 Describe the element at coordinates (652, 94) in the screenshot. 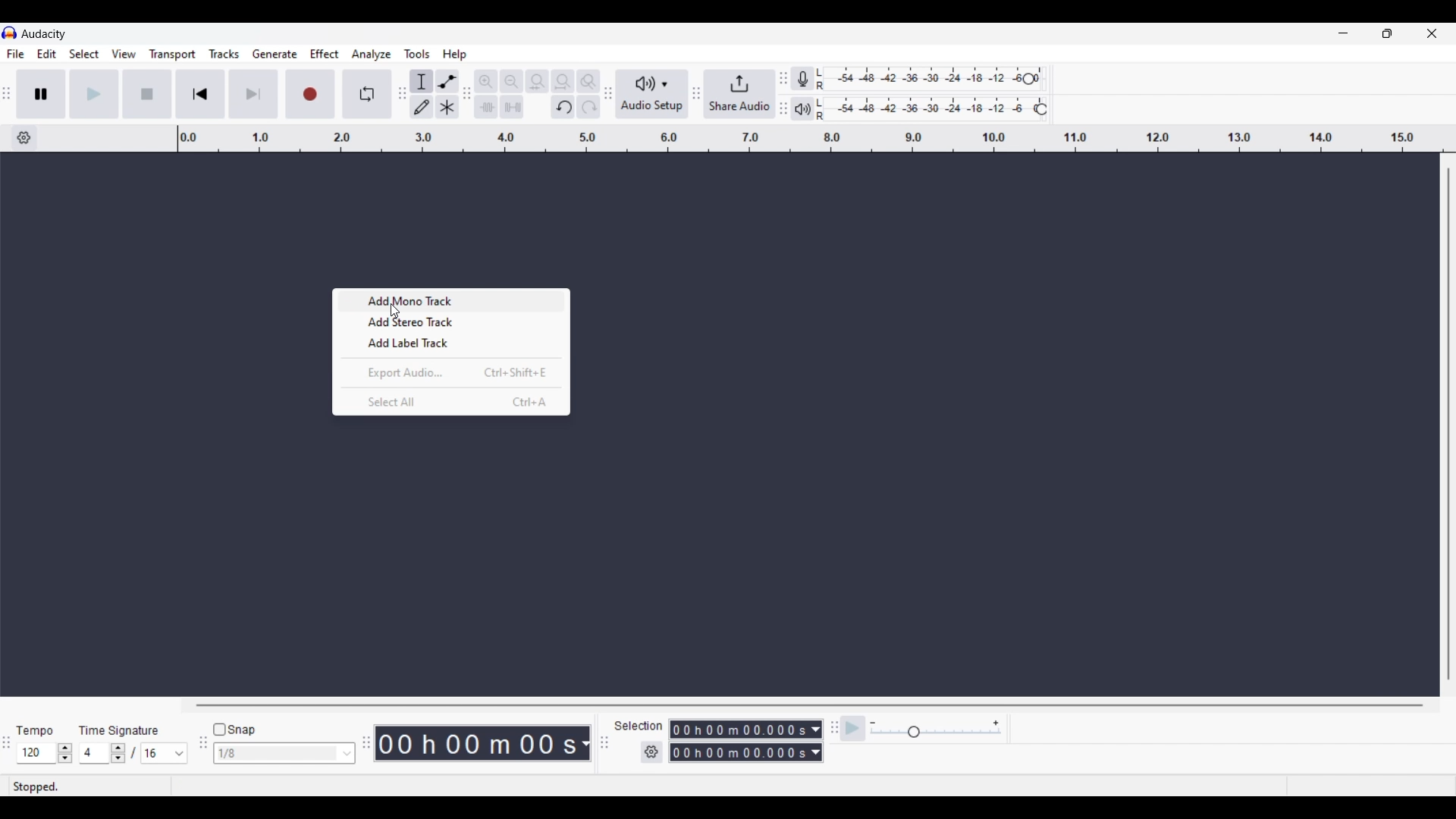

I see `Audio setup` at that location.